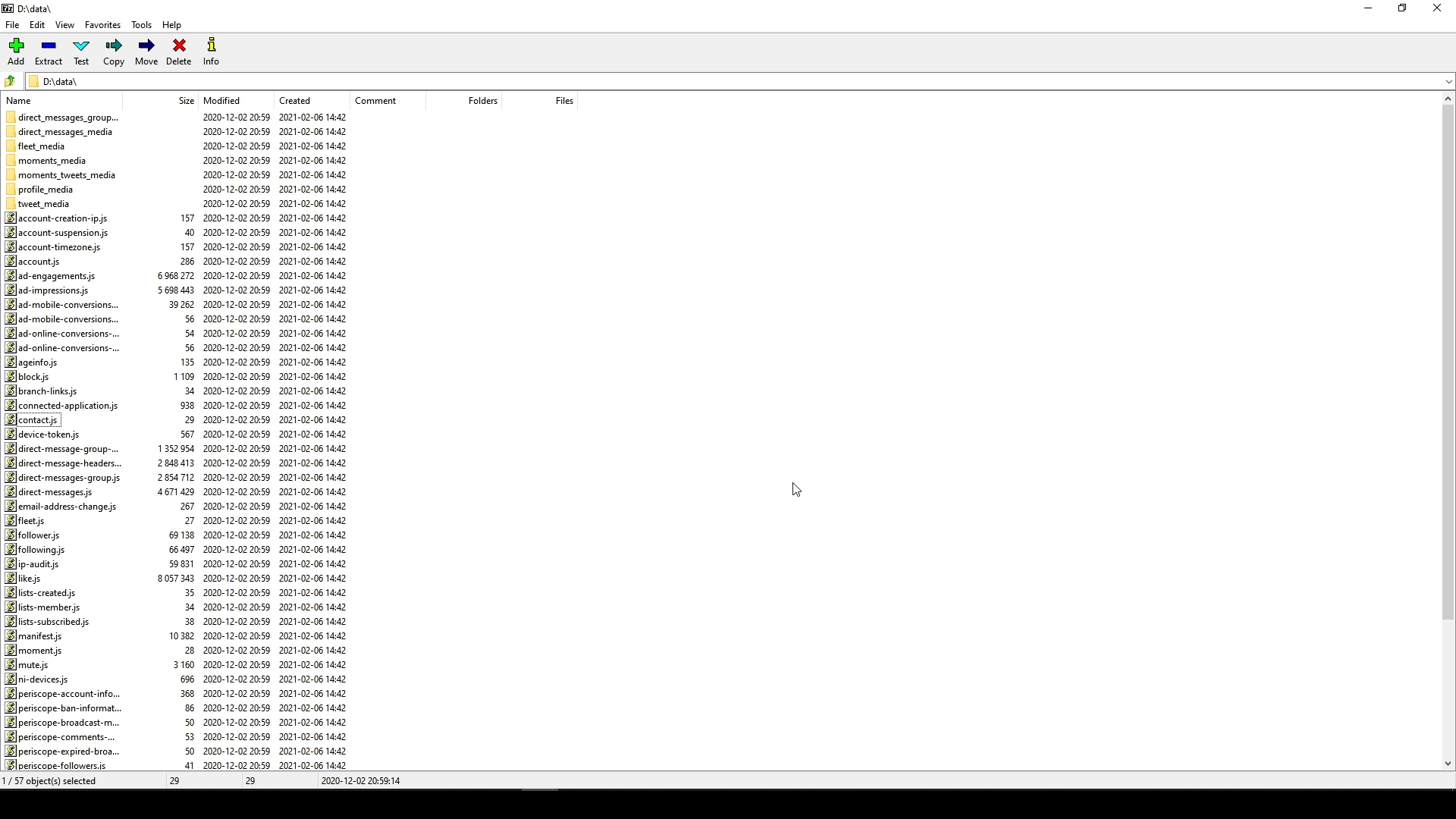 This screenshot has height=819, width=1456. Describe the element at coordinates (115, 52) in the screenshot. I see `Copy` at that location.